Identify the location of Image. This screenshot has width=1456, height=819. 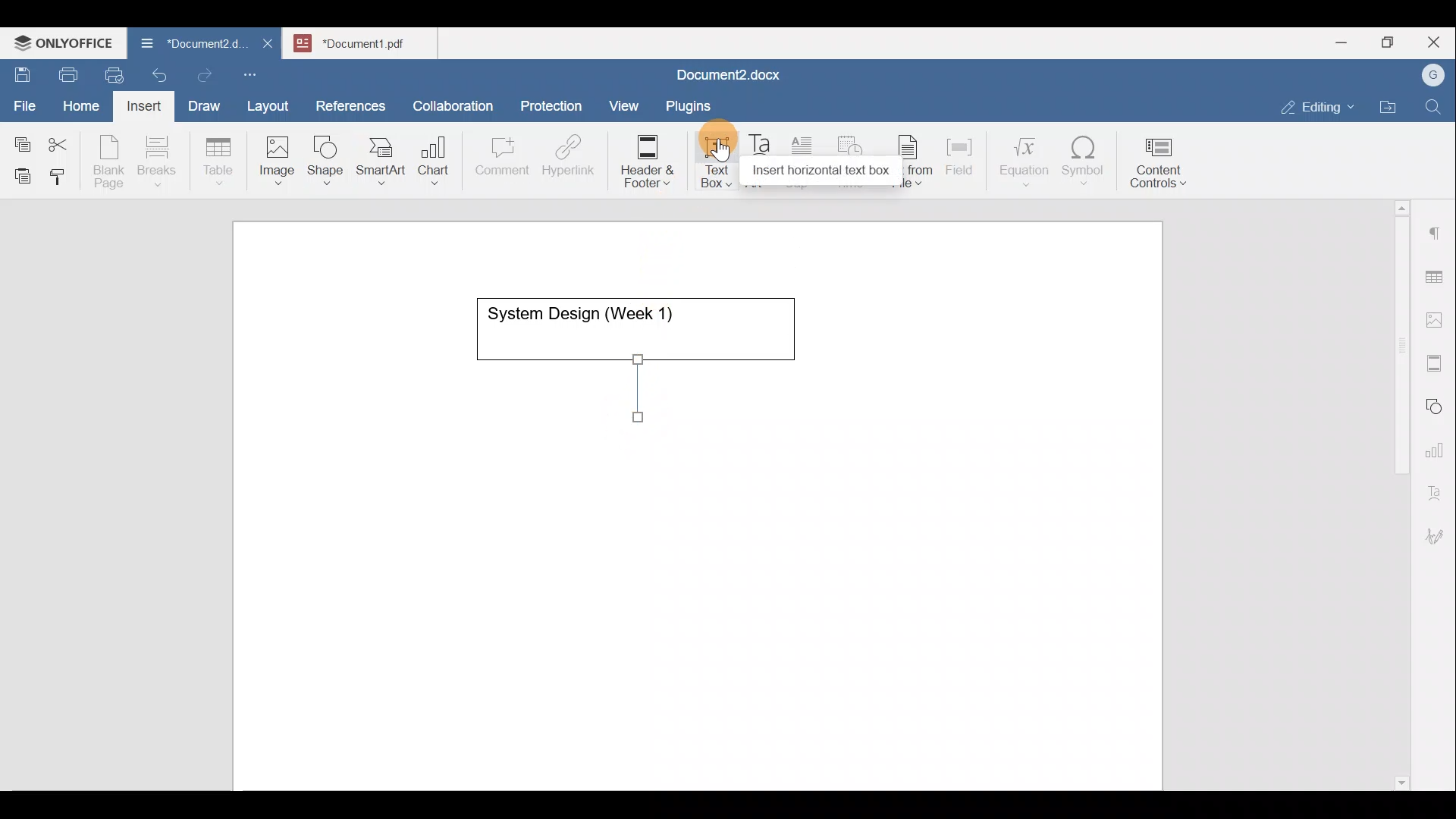
(281, 155).